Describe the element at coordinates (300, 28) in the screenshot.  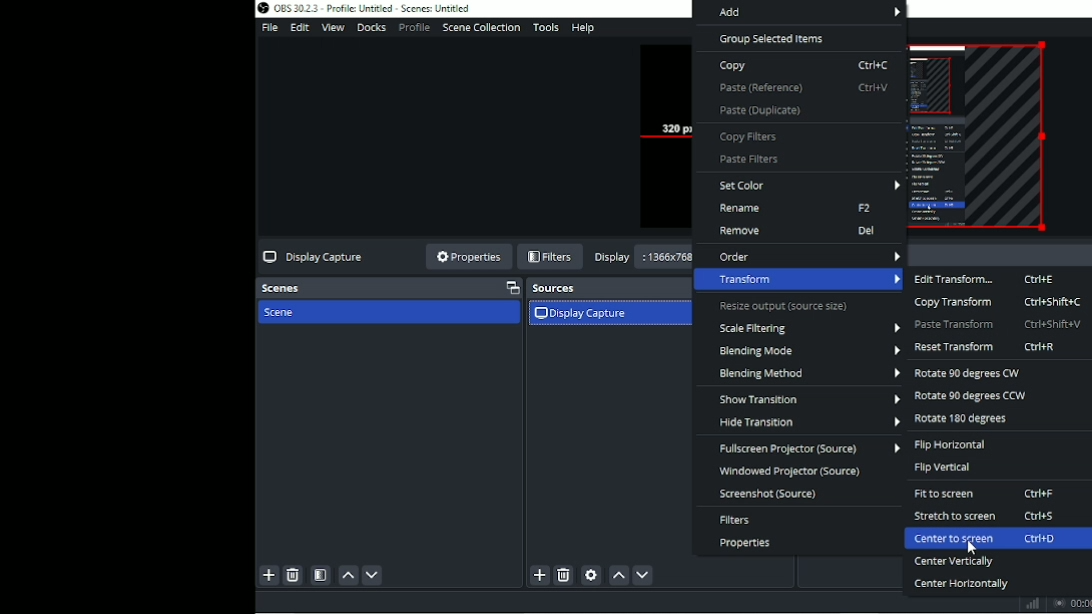
I see `Edit` at that location.